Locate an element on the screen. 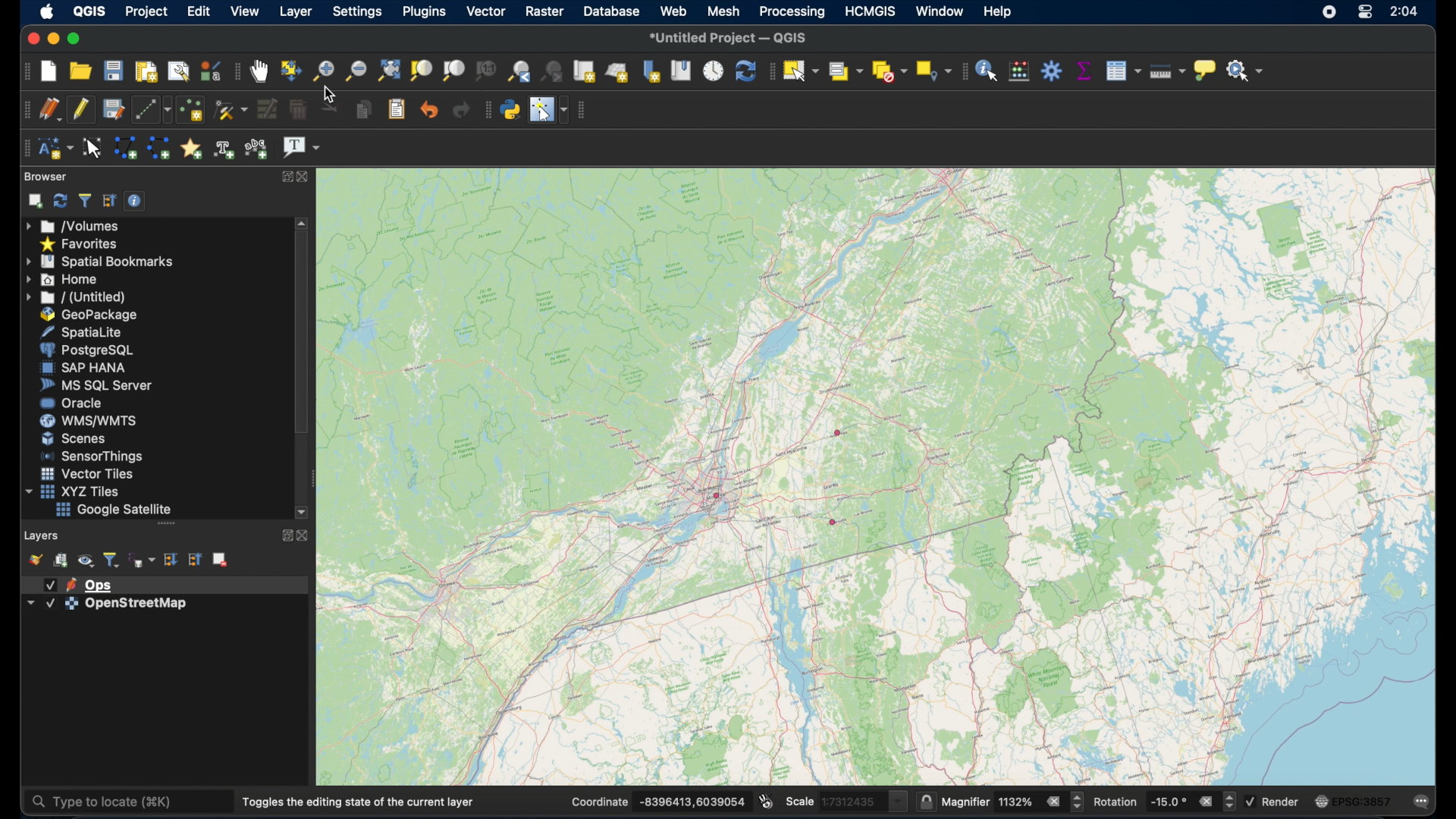 This screenshot has width=1456, height=819. save layer edits is located at coordinates (112, 110).